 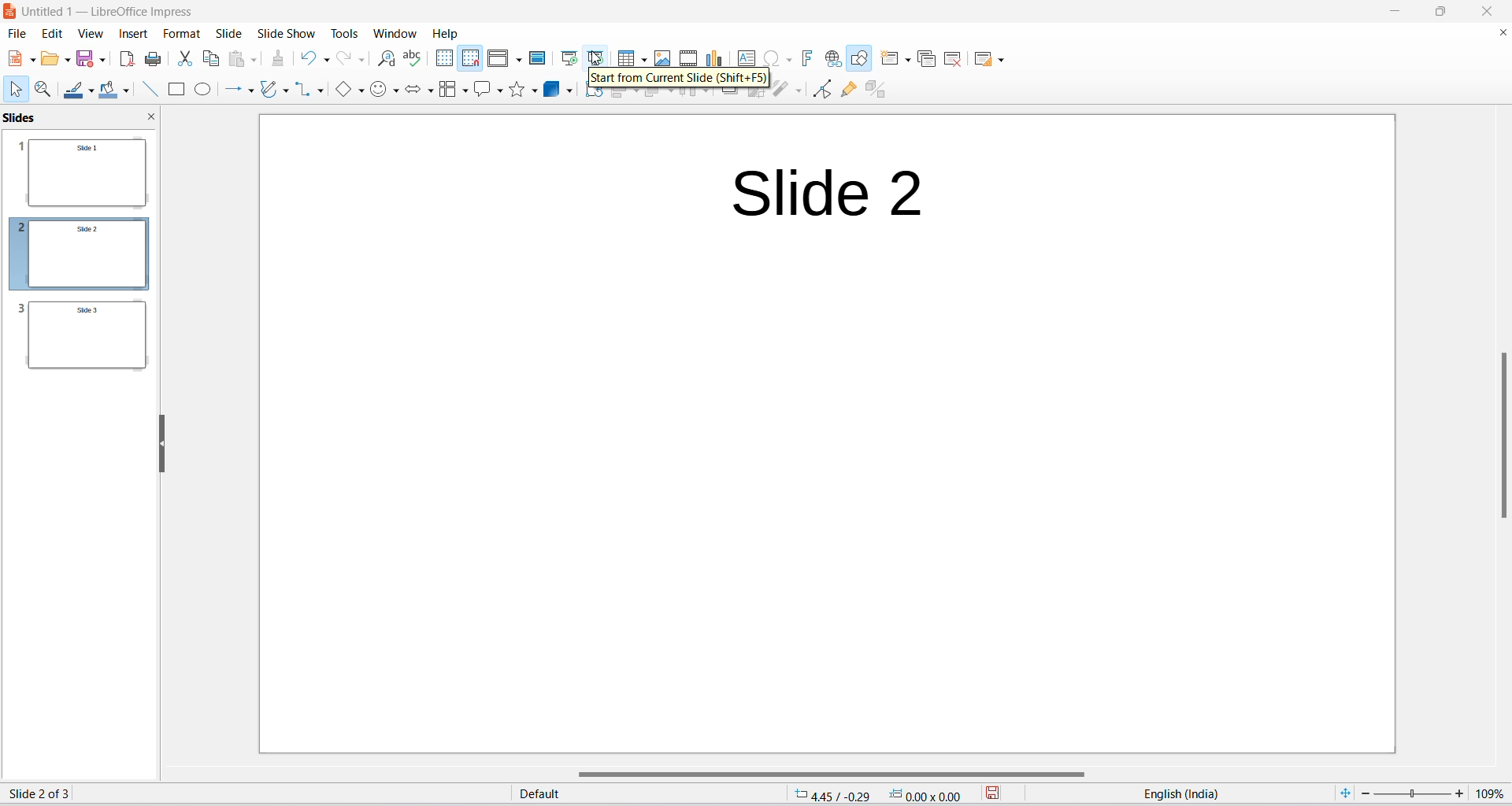 I want to click on align, so click(x=617, y=98).